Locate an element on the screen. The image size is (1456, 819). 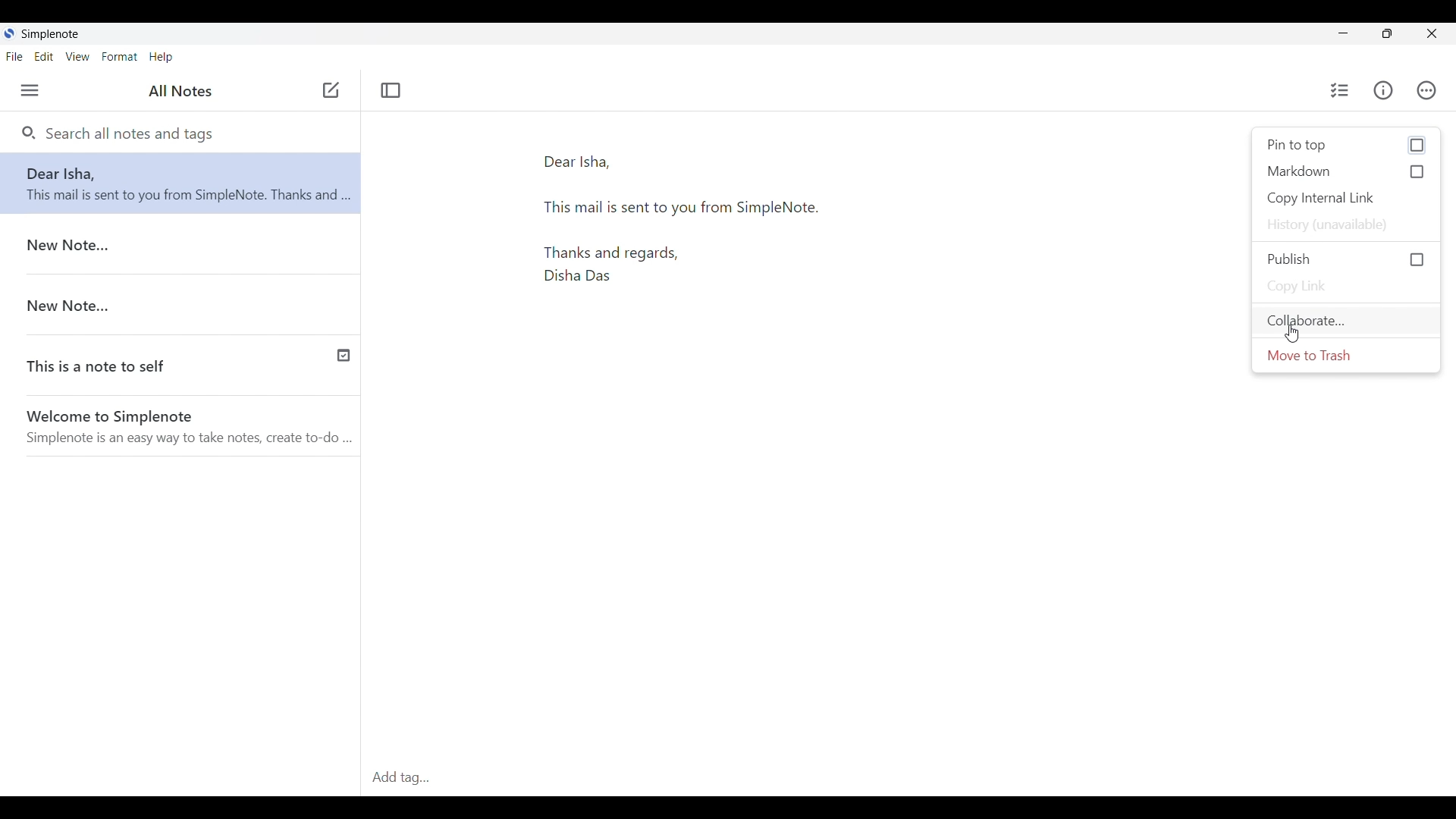
Toggle focus mode is located at coordinates (391, 90).